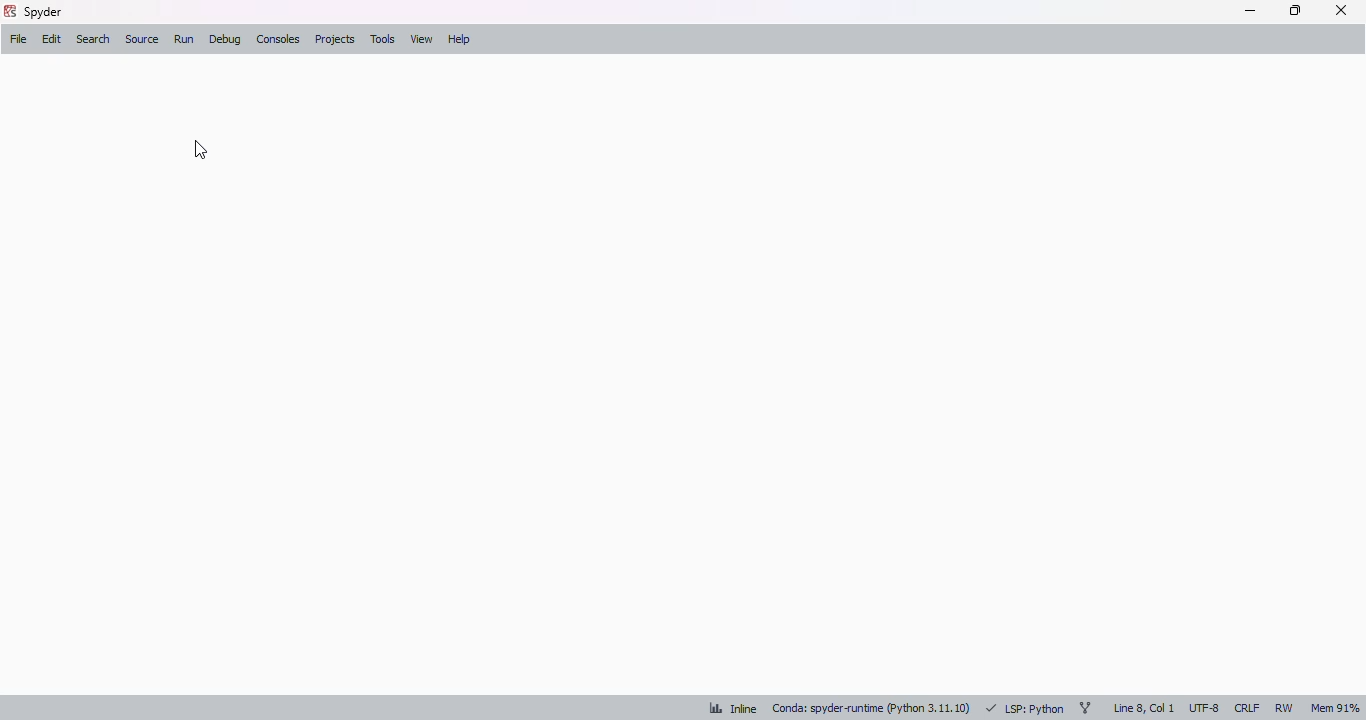 The width and height of the screenshot is (1366, 720). Describe the element at coordinates (871, 709) in the screenshot. I see `conda: spyder-runtime (python 3. 11. 10)` at that location.